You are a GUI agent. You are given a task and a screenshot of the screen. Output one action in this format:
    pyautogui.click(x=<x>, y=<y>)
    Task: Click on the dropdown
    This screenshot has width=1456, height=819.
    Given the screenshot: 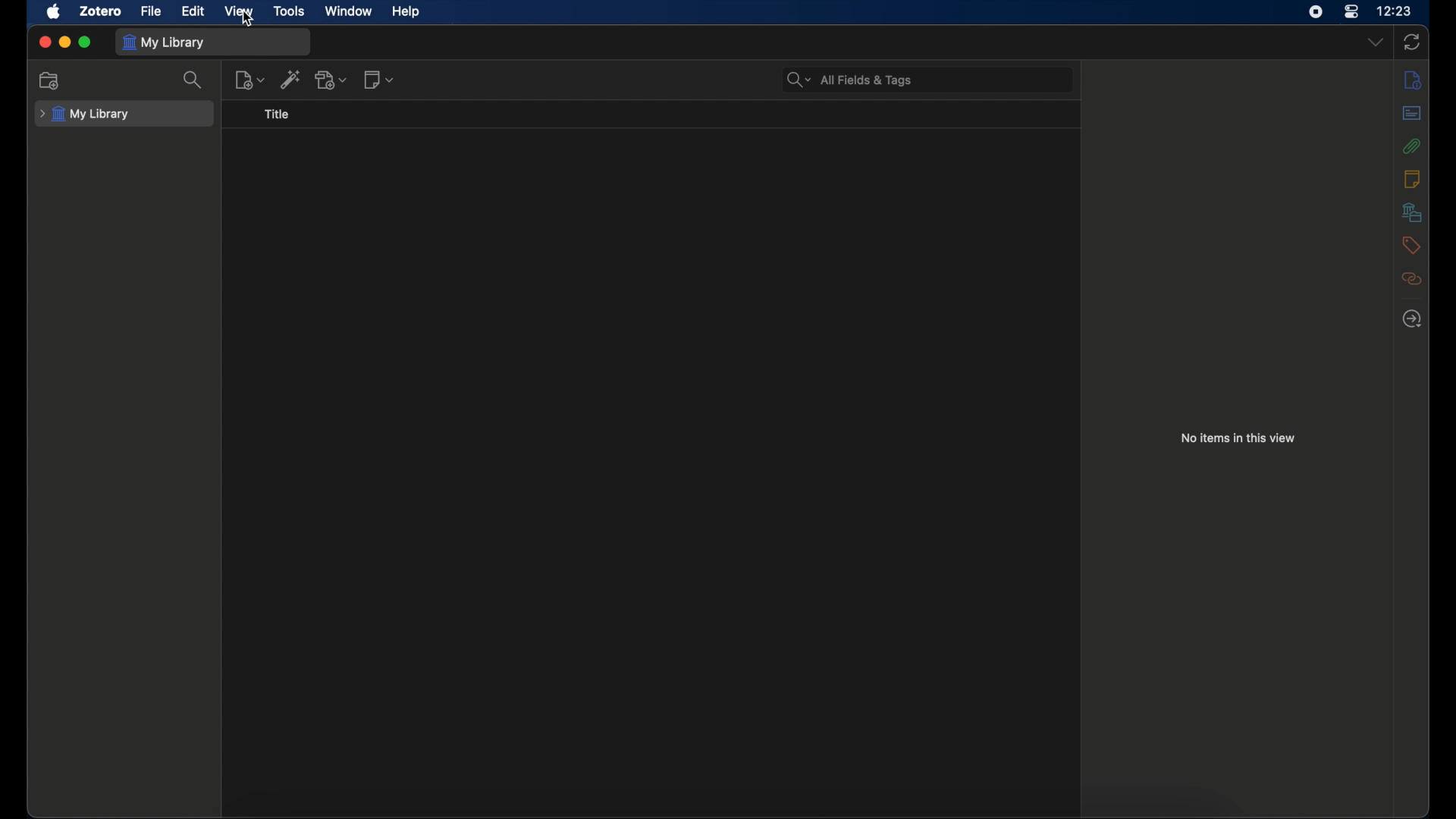 What is the action you would take?
    pyautogui.click(x=1376, y=42)
    